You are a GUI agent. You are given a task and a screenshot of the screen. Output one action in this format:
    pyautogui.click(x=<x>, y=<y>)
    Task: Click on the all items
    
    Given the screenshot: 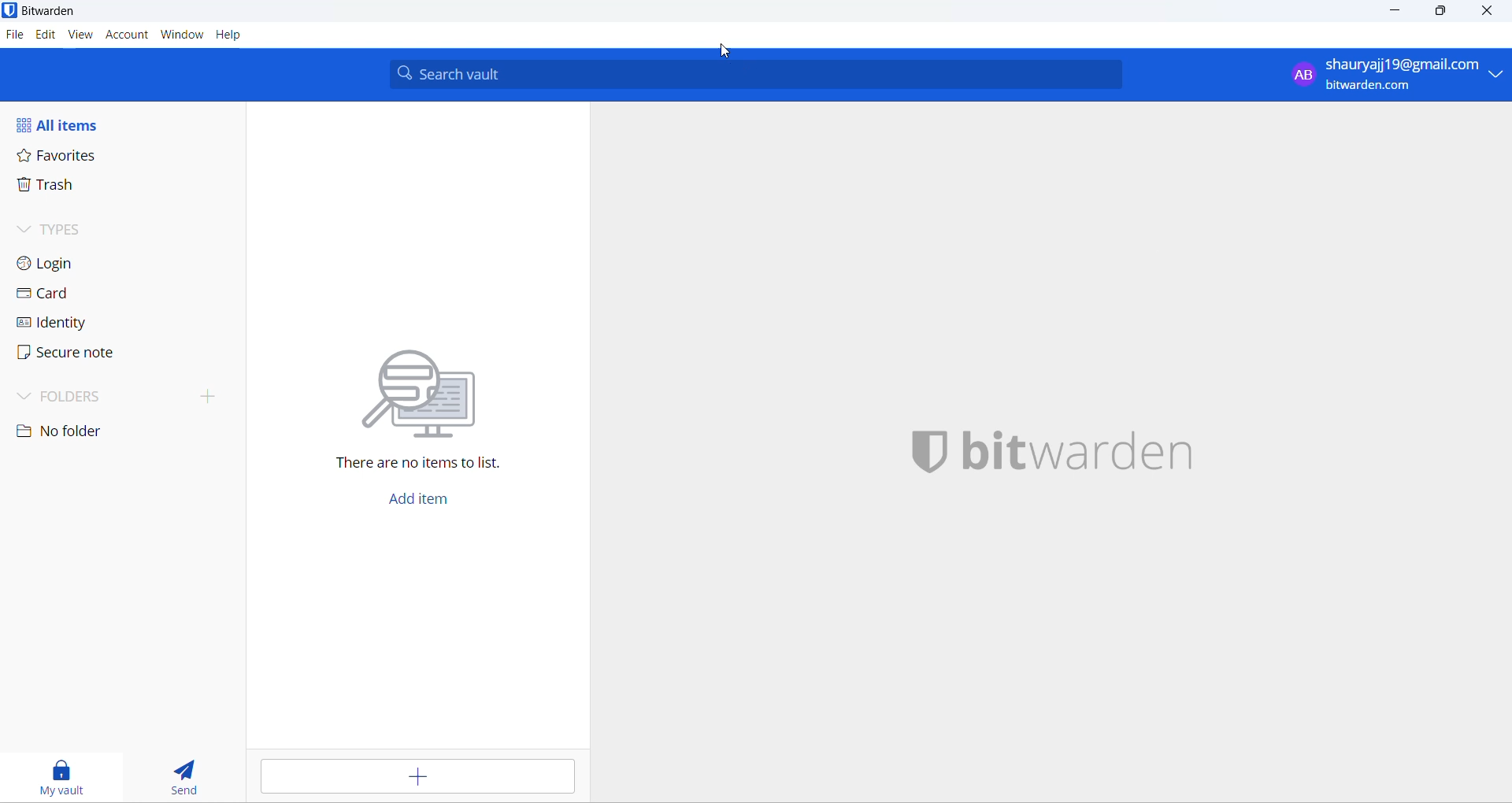 What is the action you would take?
    pyautogui.click(x=72, y=123)
    